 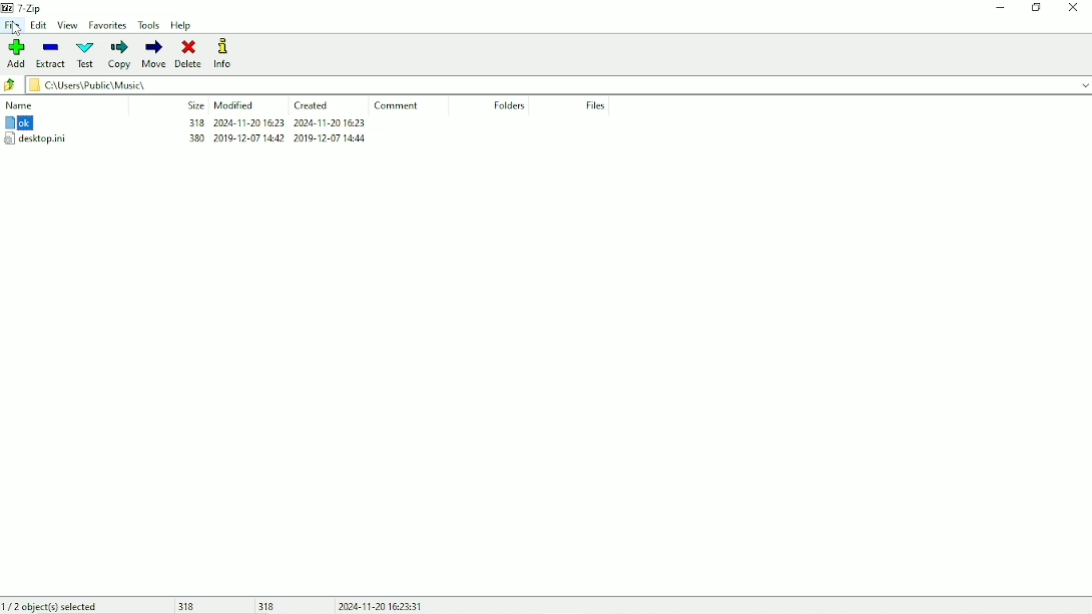 I want to click on Add, so click(x=16, y=53).